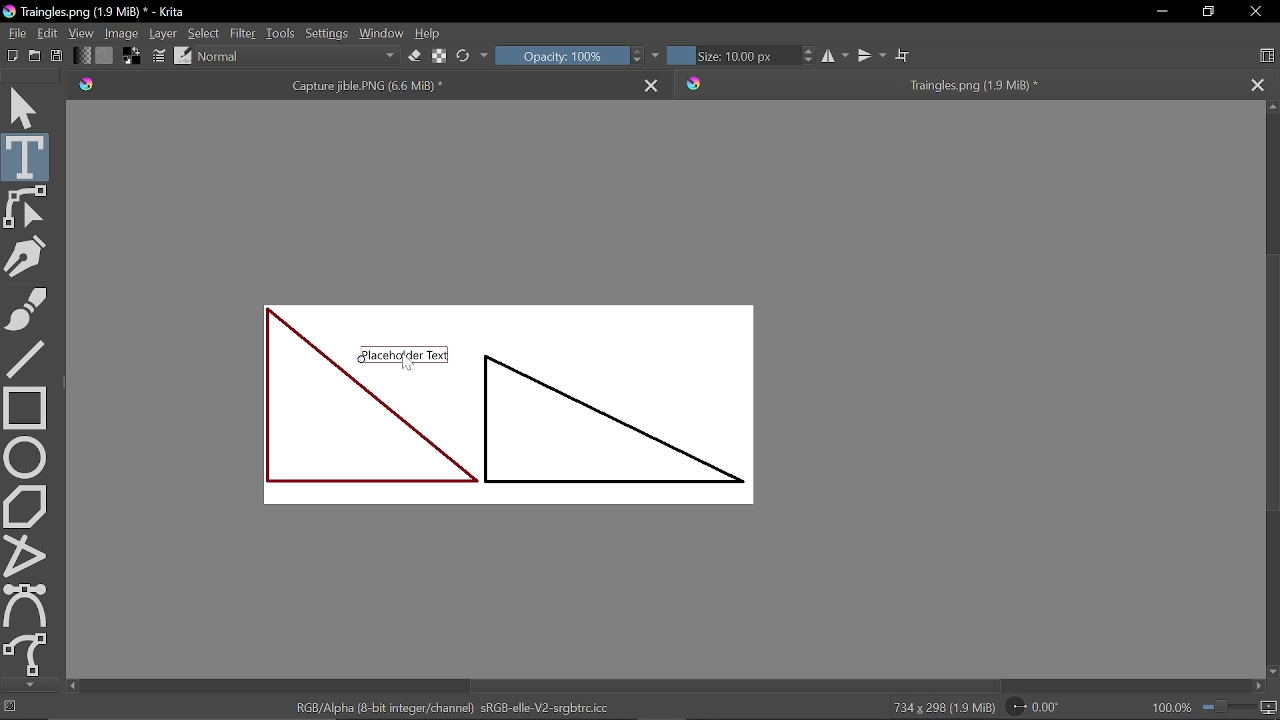  I want to click on Move right, so click(1261, 687).